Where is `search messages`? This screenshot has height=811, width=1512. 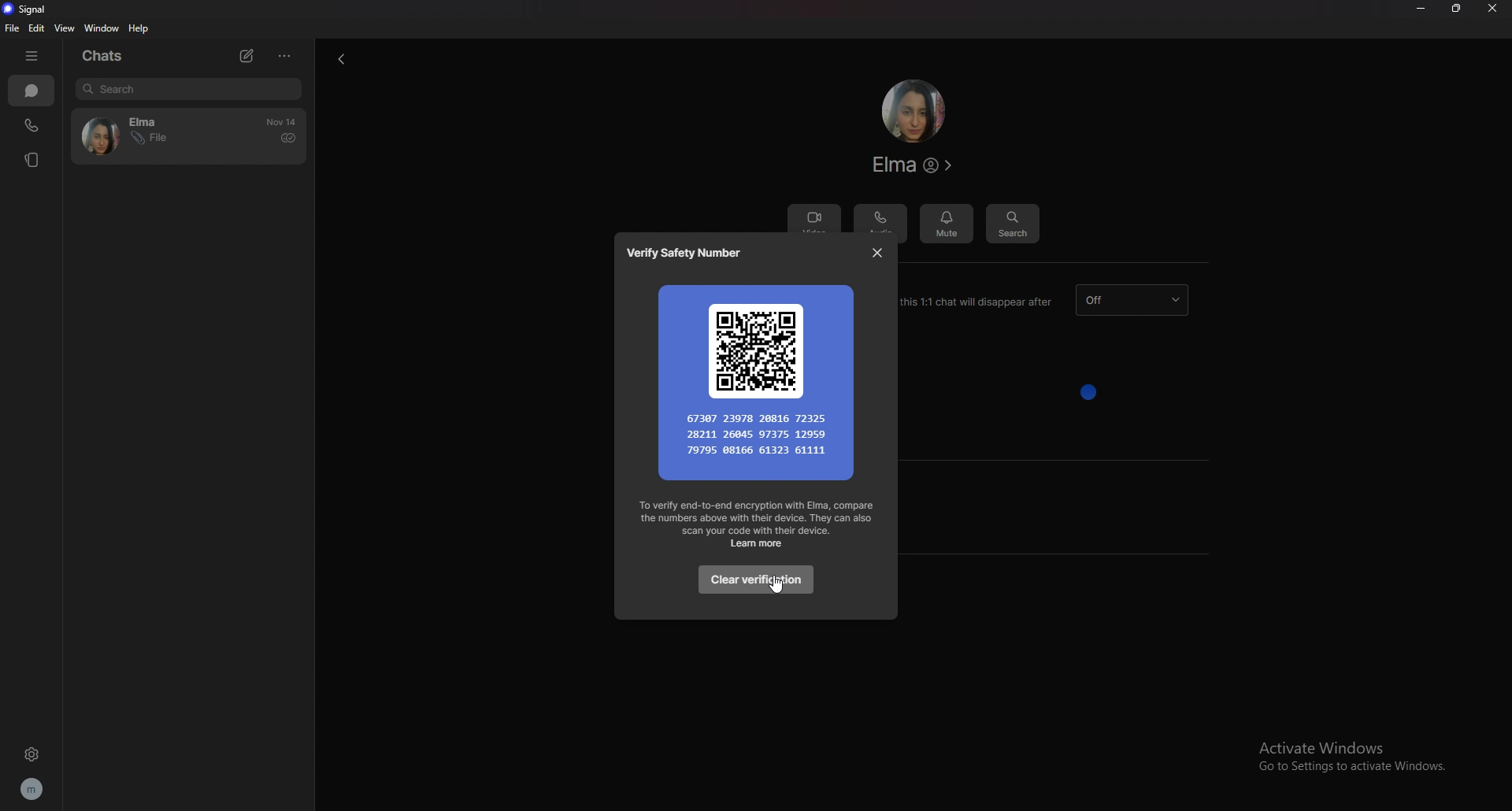 search messages is located at coordinates (188, 88).